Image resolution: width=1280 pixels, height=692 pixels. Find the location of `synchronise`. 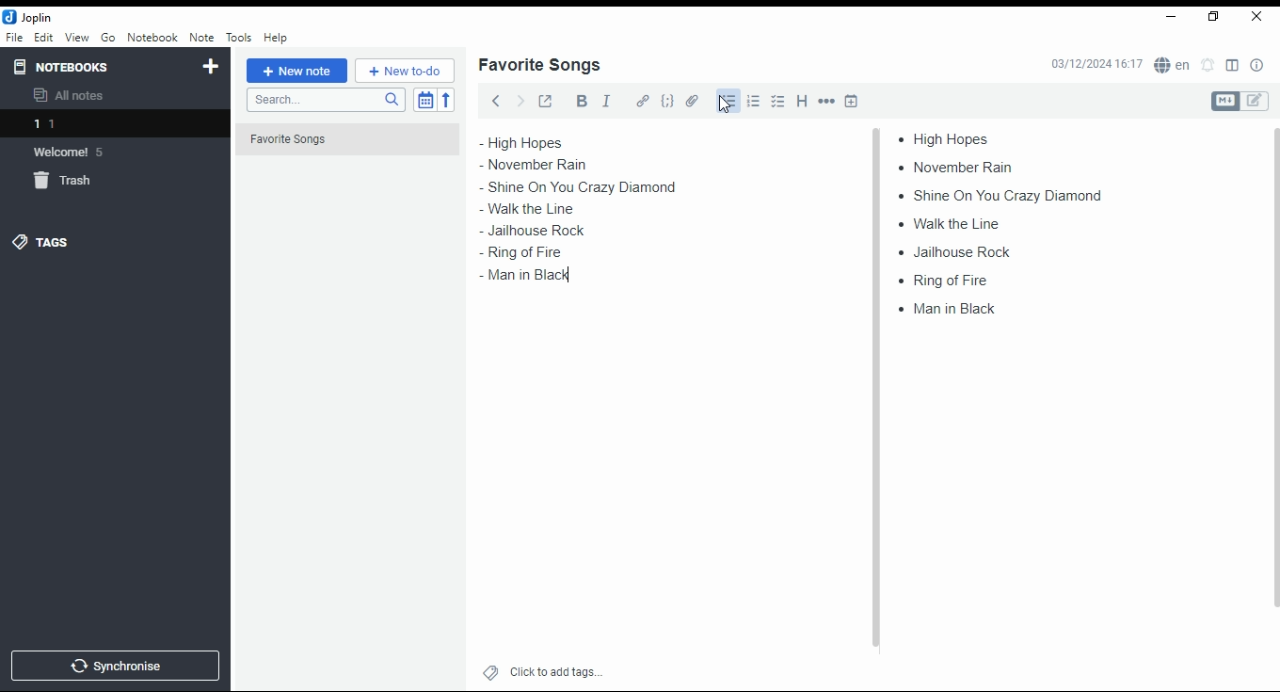

synchronise is located at coordinates (112, 665).